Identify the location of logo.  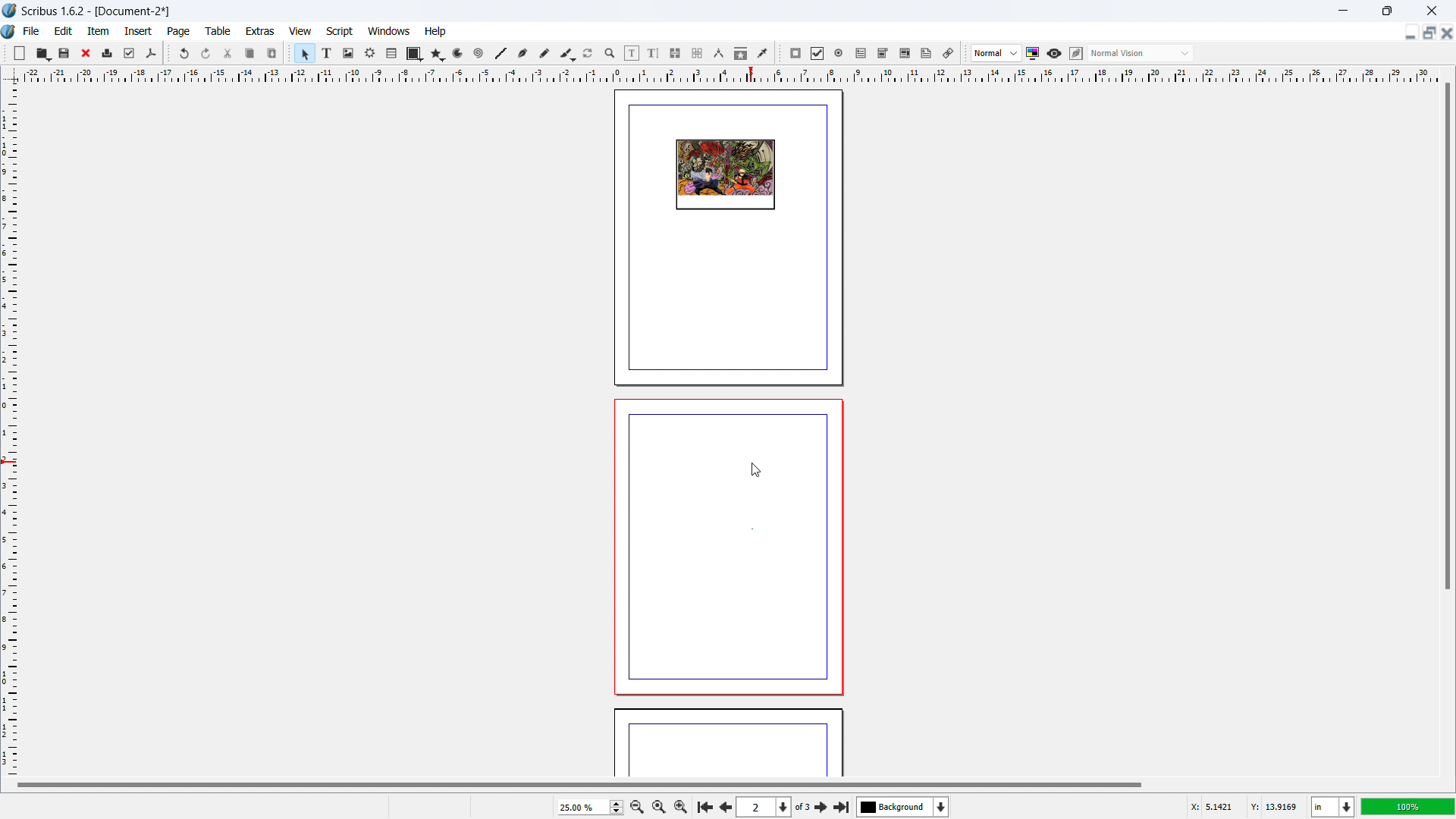
(10, 11).